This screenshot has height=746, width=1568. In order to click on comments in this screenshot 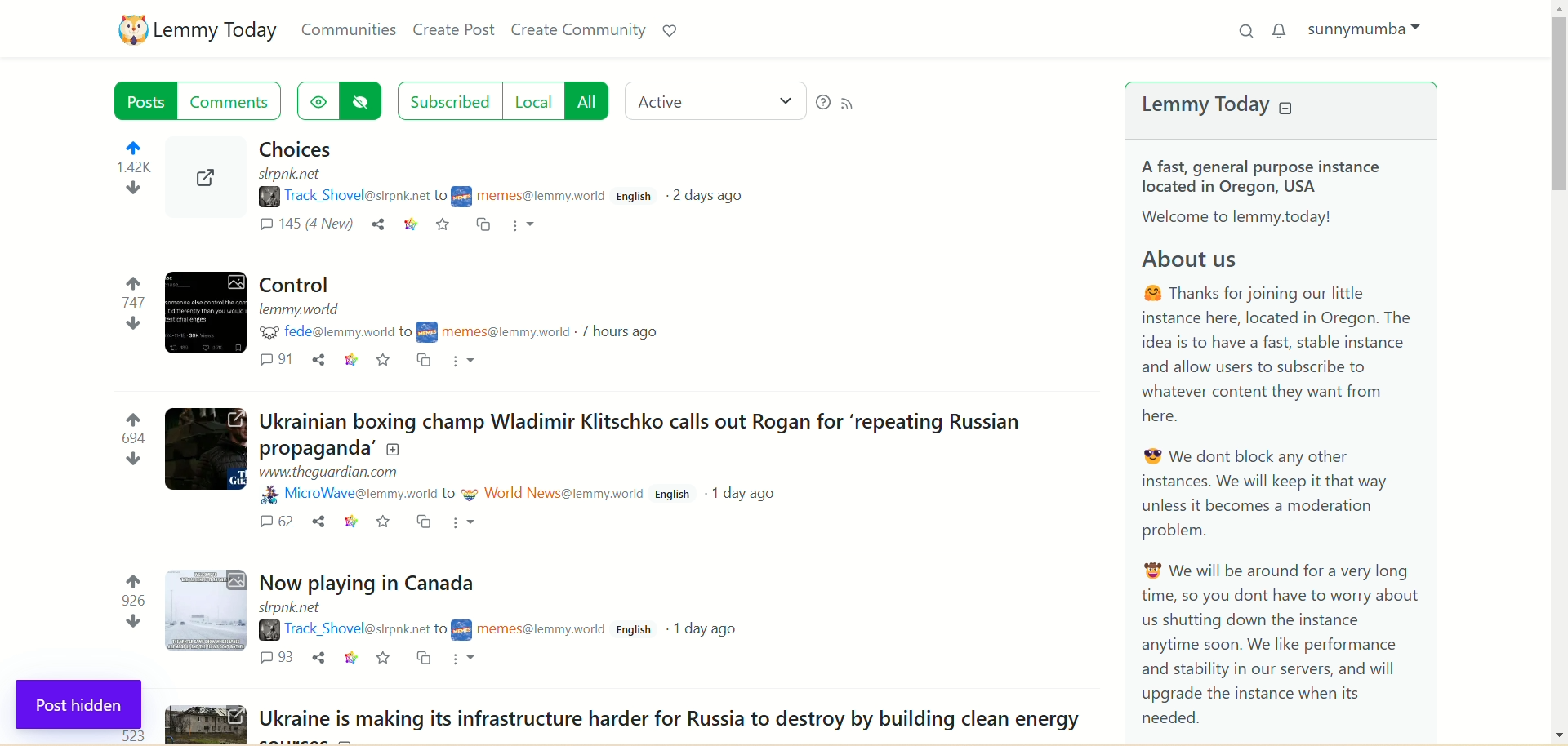, I will do `click(308, 229)`.